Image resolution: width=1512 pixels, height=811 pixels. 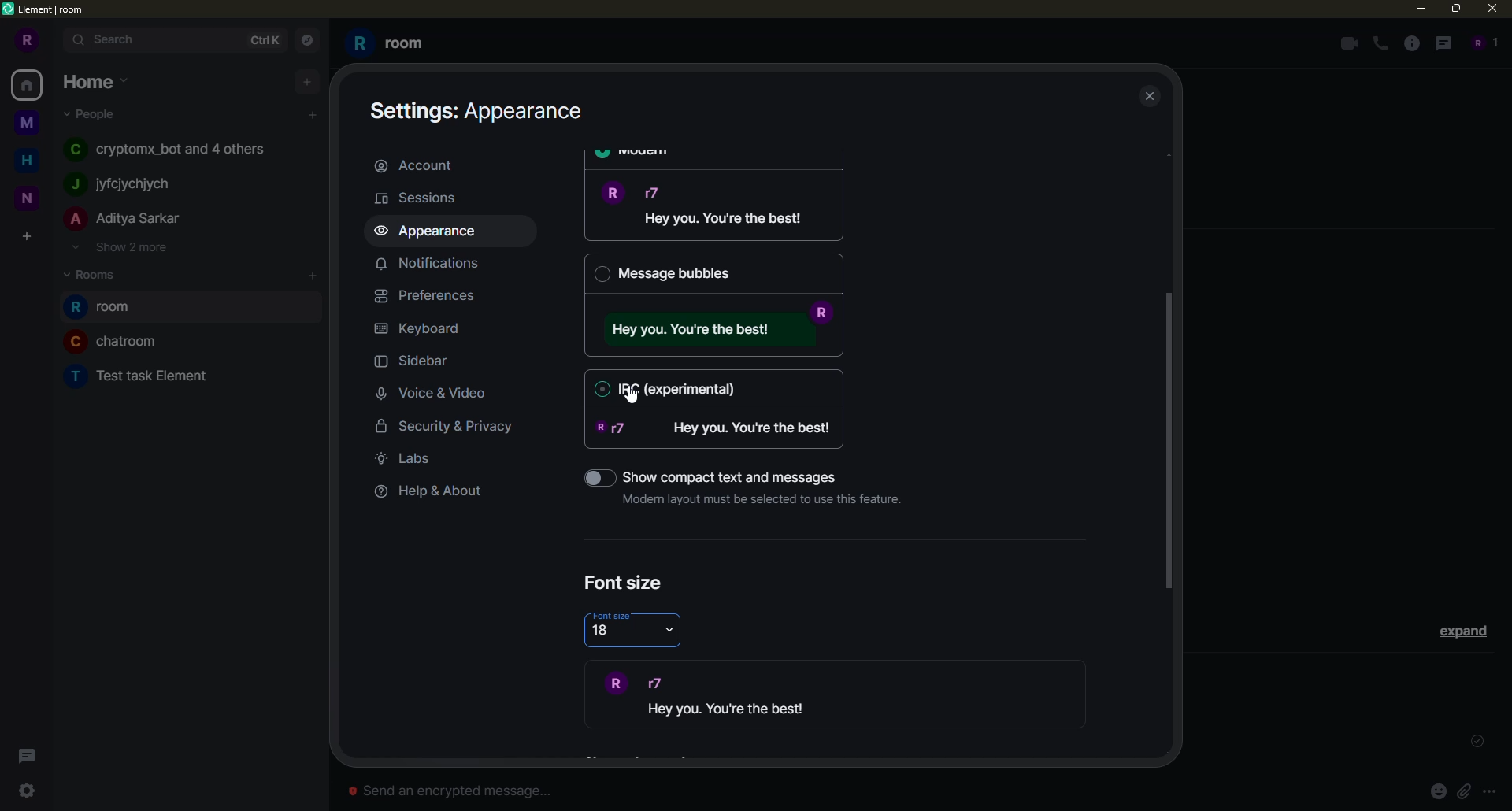 I want to click on  Send an encrypted message..., so click(x=439, y=791).